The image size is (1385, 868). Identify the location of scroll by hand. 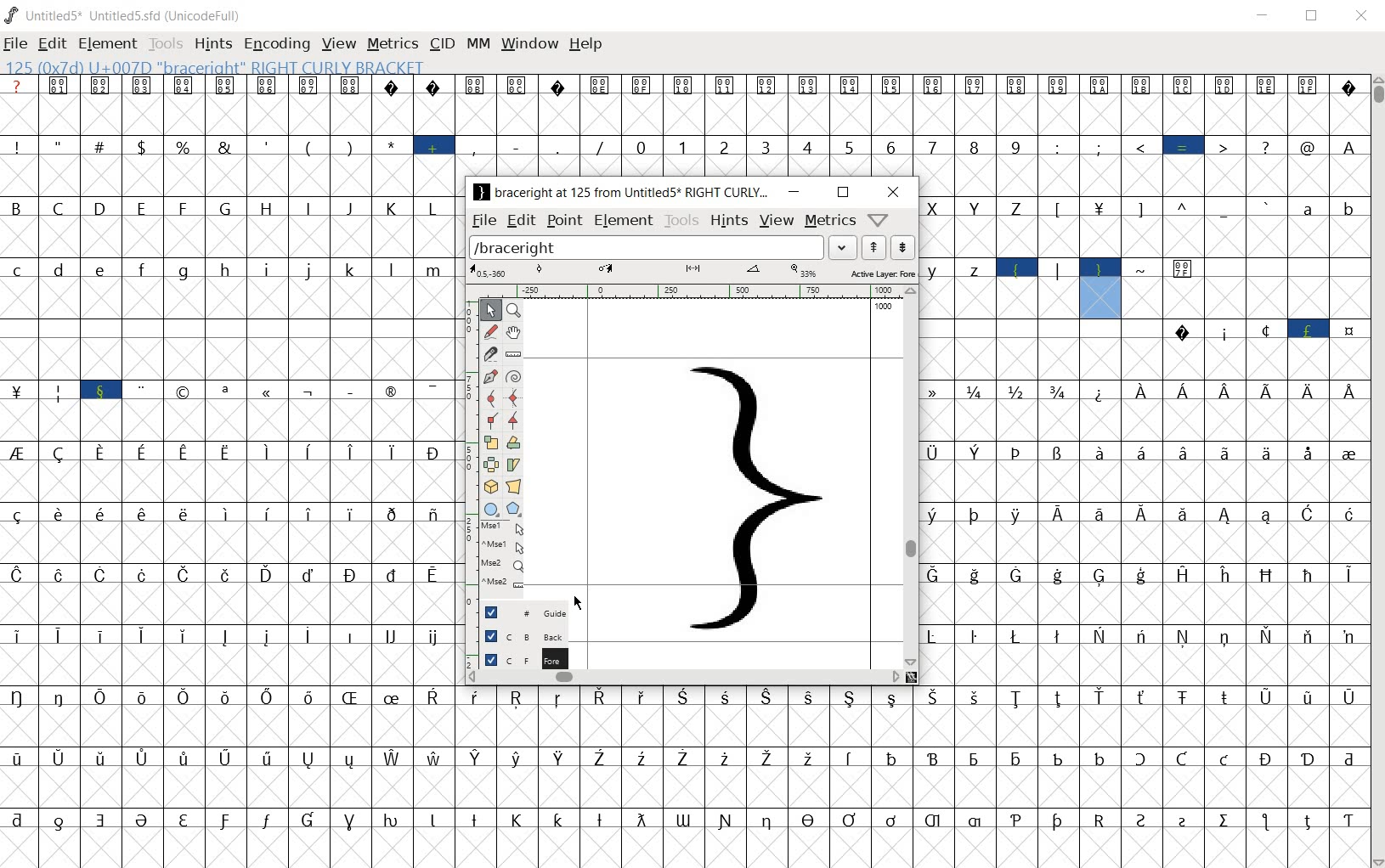
(514, 332).